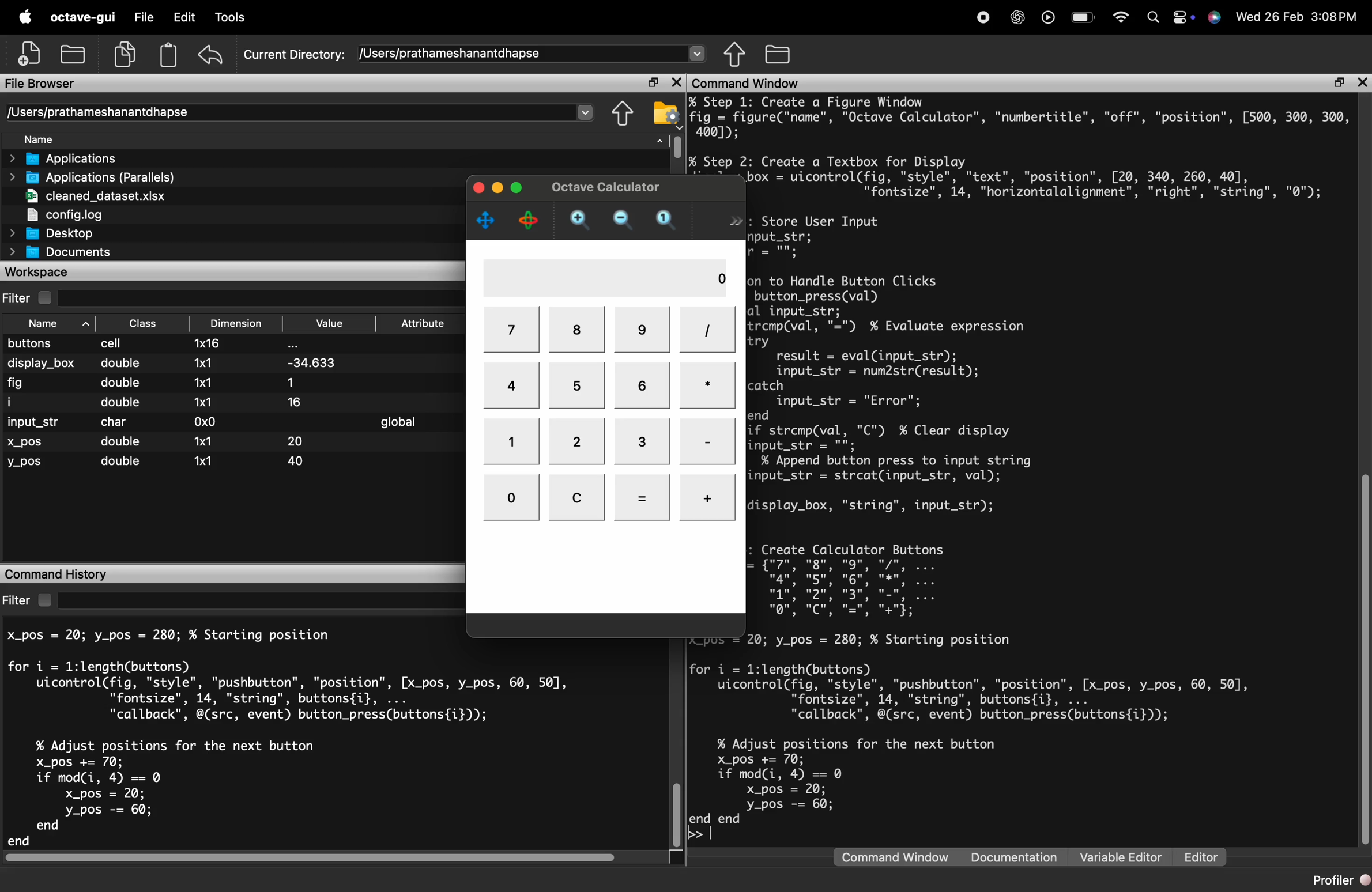 This screenshot has height=892, width=1372. I want to click on 1x1, so click(207, 442).